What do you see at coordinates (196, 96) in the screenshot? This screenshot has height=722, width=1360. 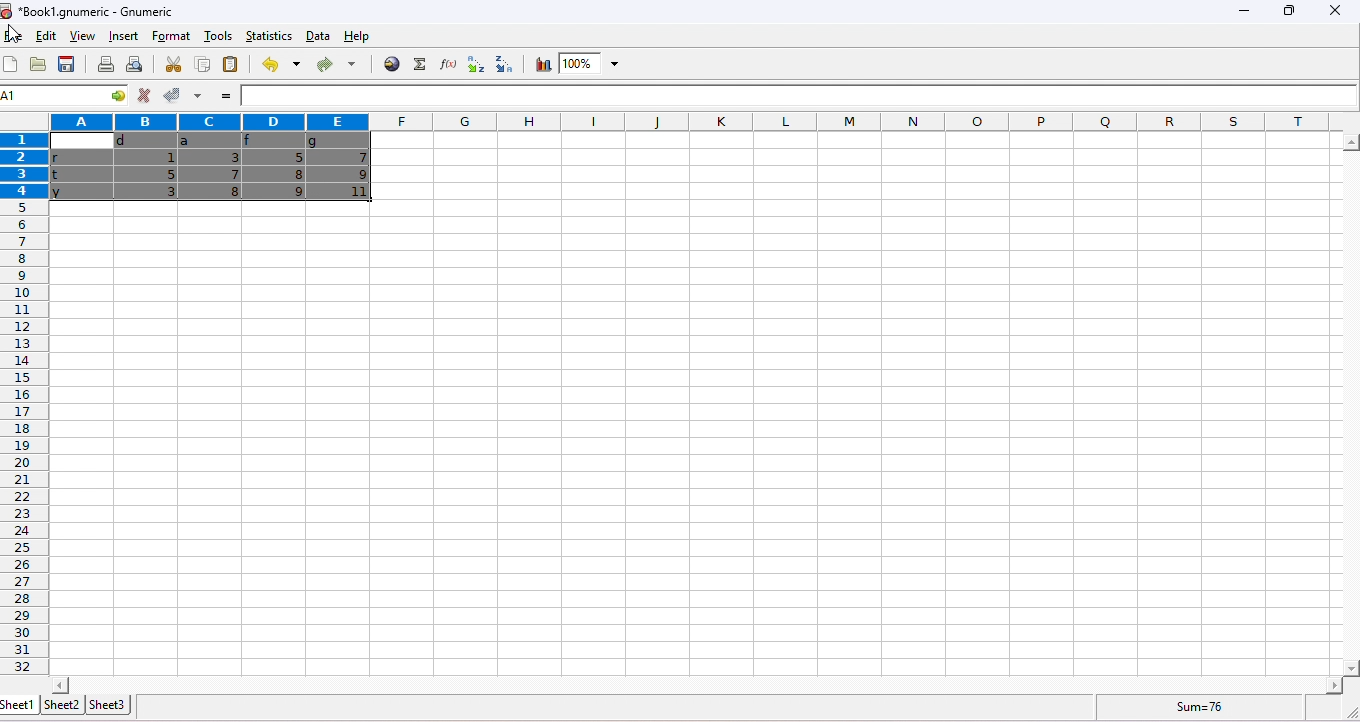 I see `accept multiple changes` at bounding box center [196, 96].